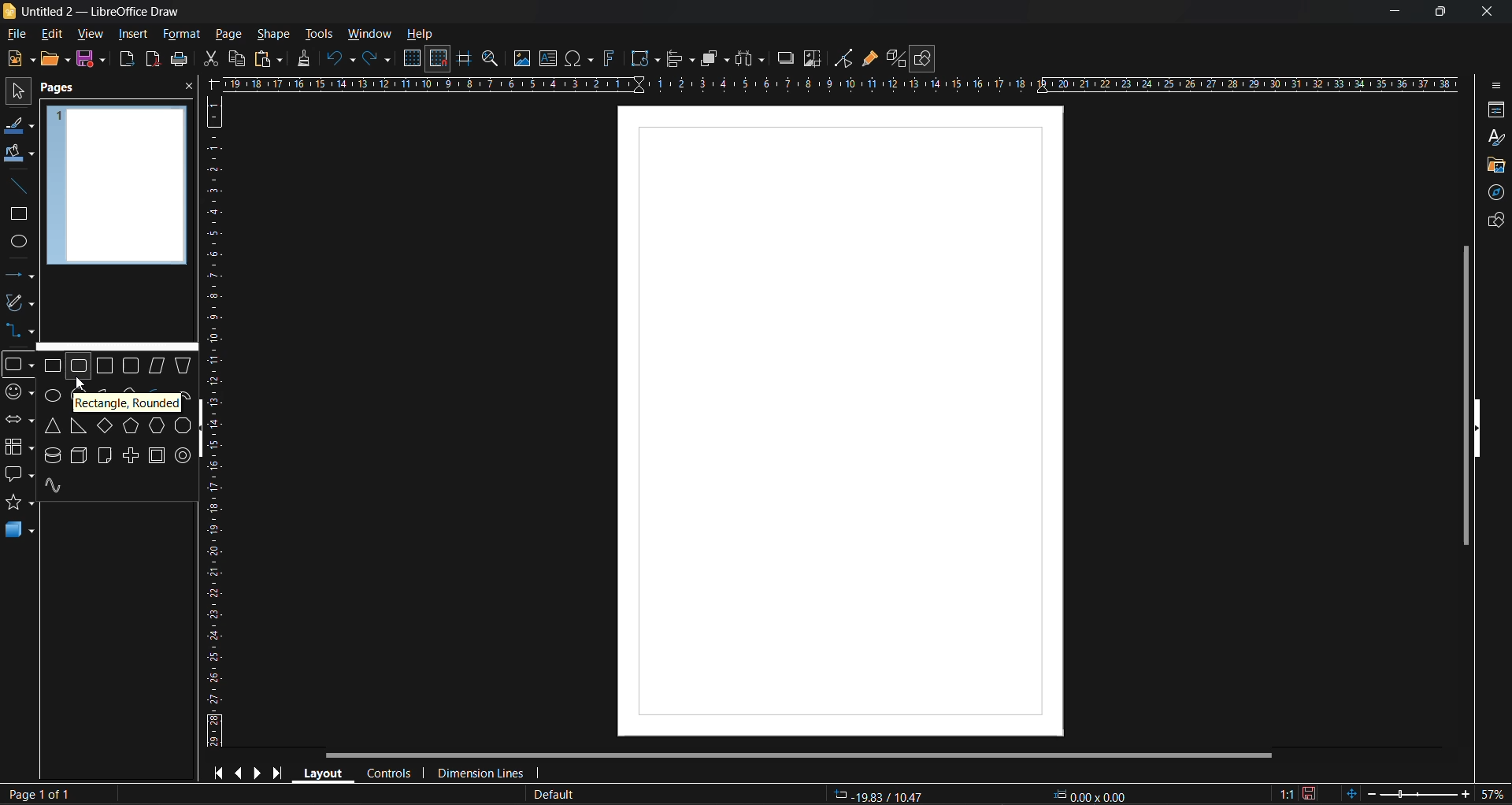 The image size is (1512, 805). Describe the element at coordinates (1465, 796) in the screenshot. I see `zoom in` at that location.